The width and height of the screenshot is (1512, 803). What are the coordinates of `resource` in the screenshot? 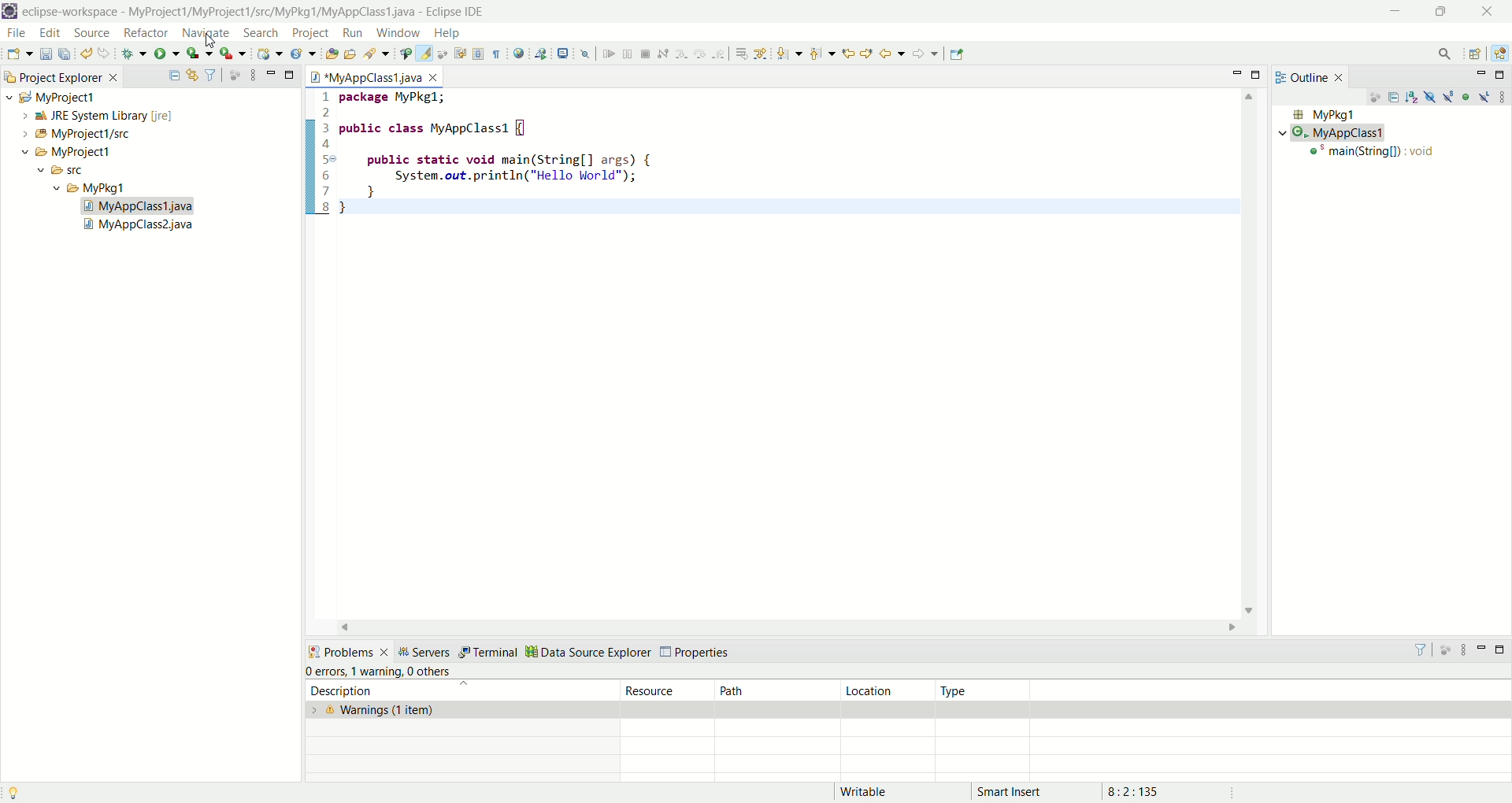 It's located at (669, 690).